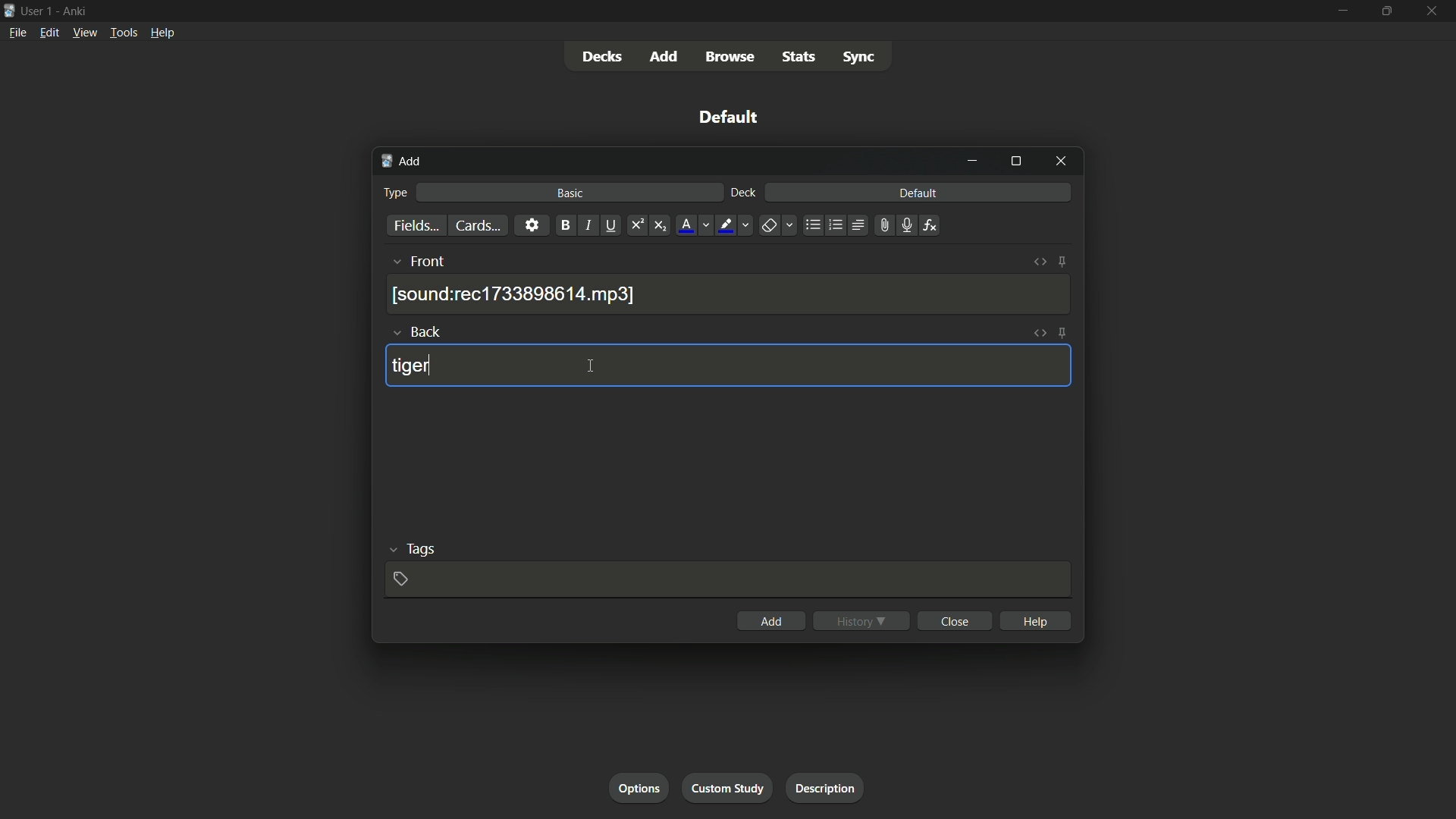  Describe the element at coordinates (18, 32) in the screenshot. I see `file menu` at that location.